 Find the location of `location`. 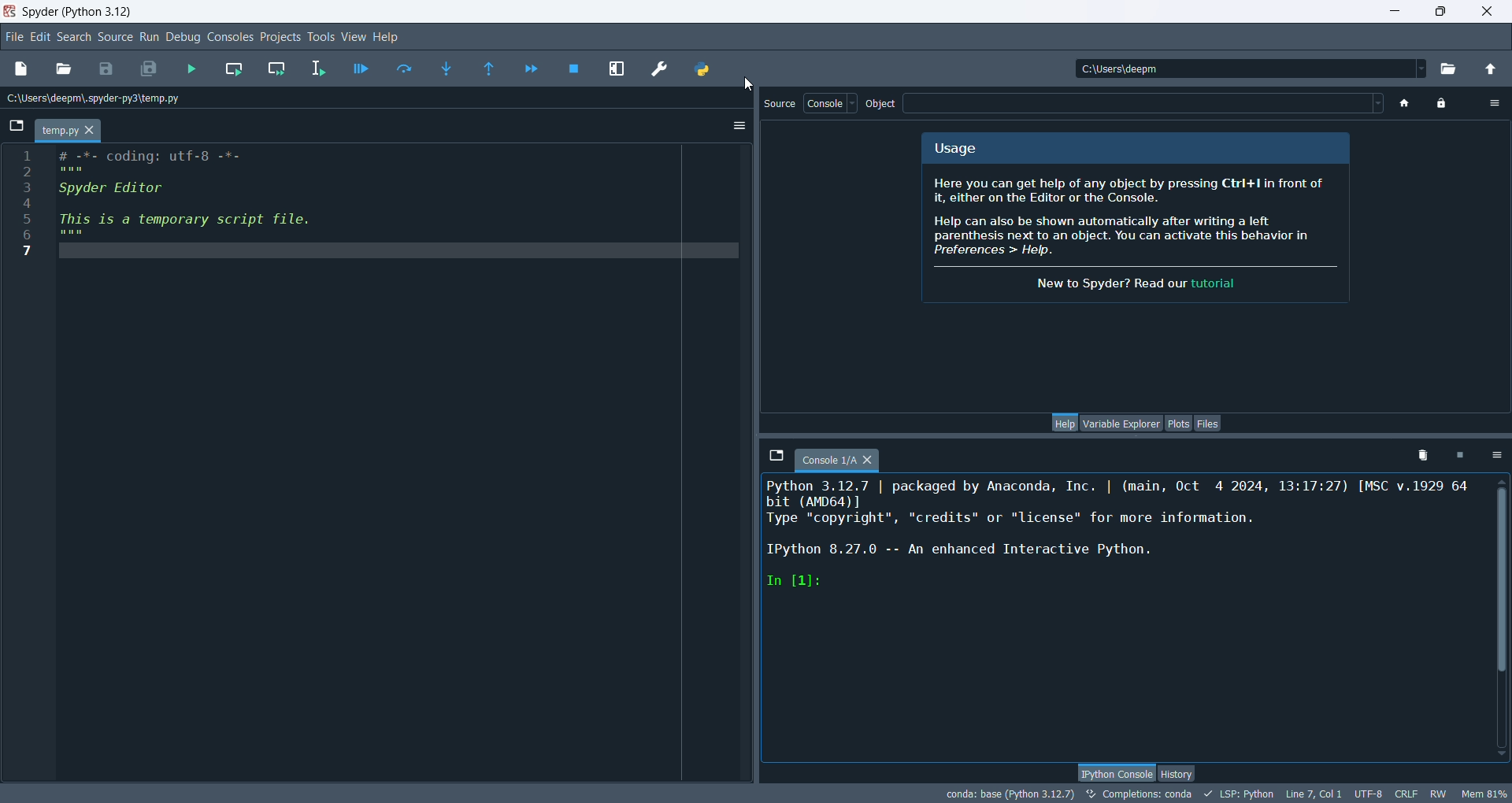

location is located at coordinates (1248, 67).